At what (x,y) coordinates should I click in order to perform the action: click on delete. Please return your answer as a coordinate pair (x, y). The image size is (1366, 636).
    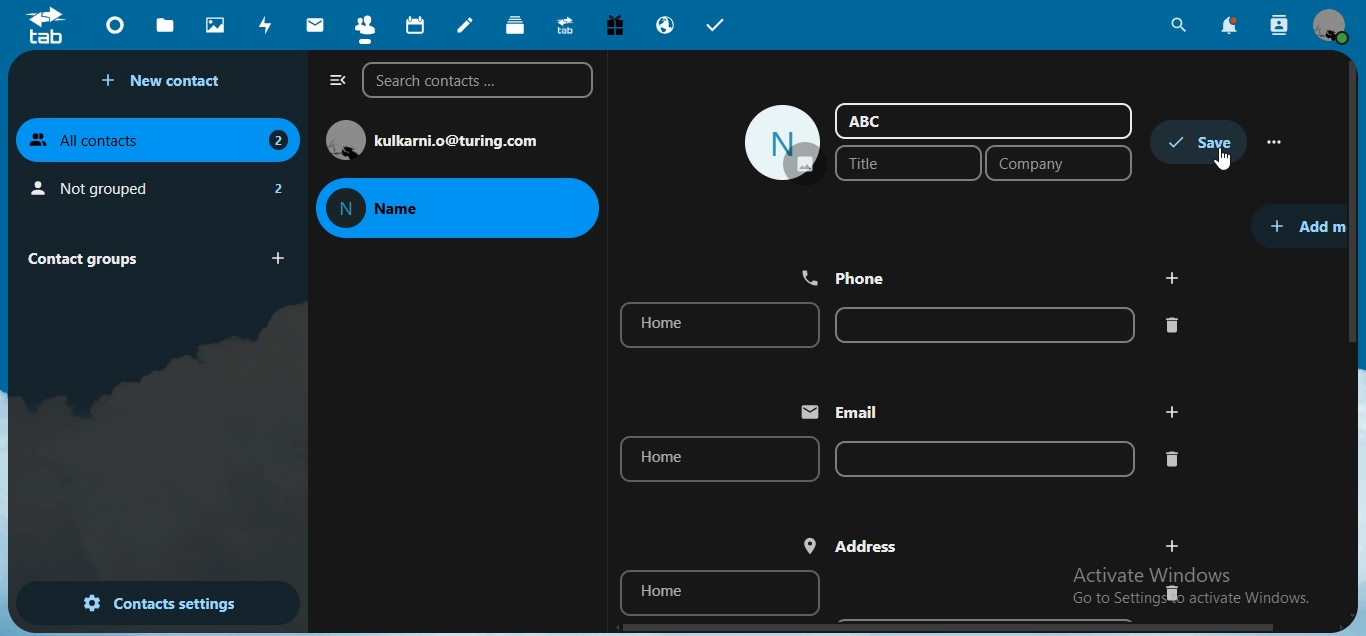
    Looking at the image, I should click on (1169, 592).